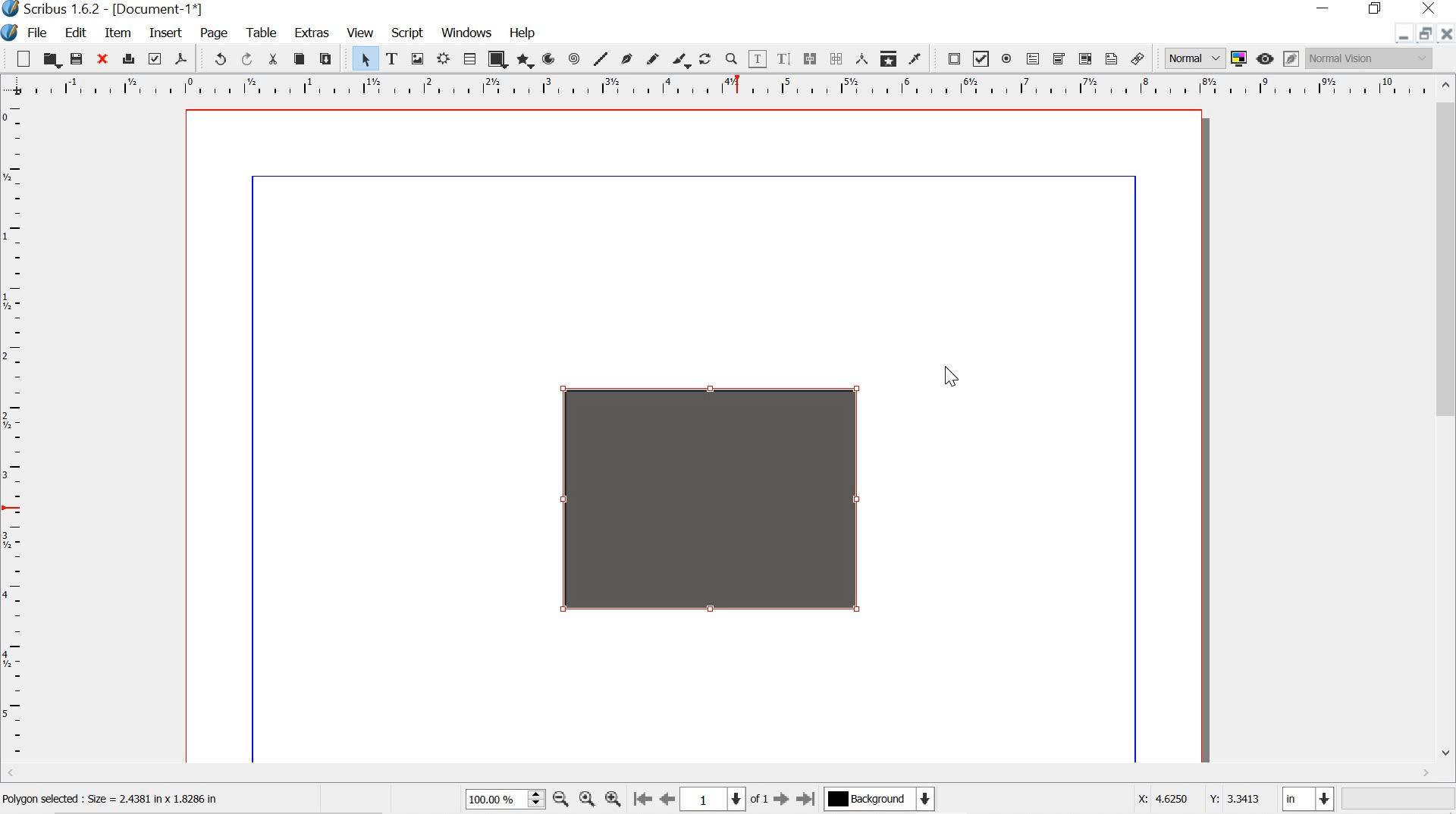  Describe the element at coordinates (118, 800) in the screenshot. I see `Polygon selected : Size = 2.4381 in x 1.8286 in` at that location.